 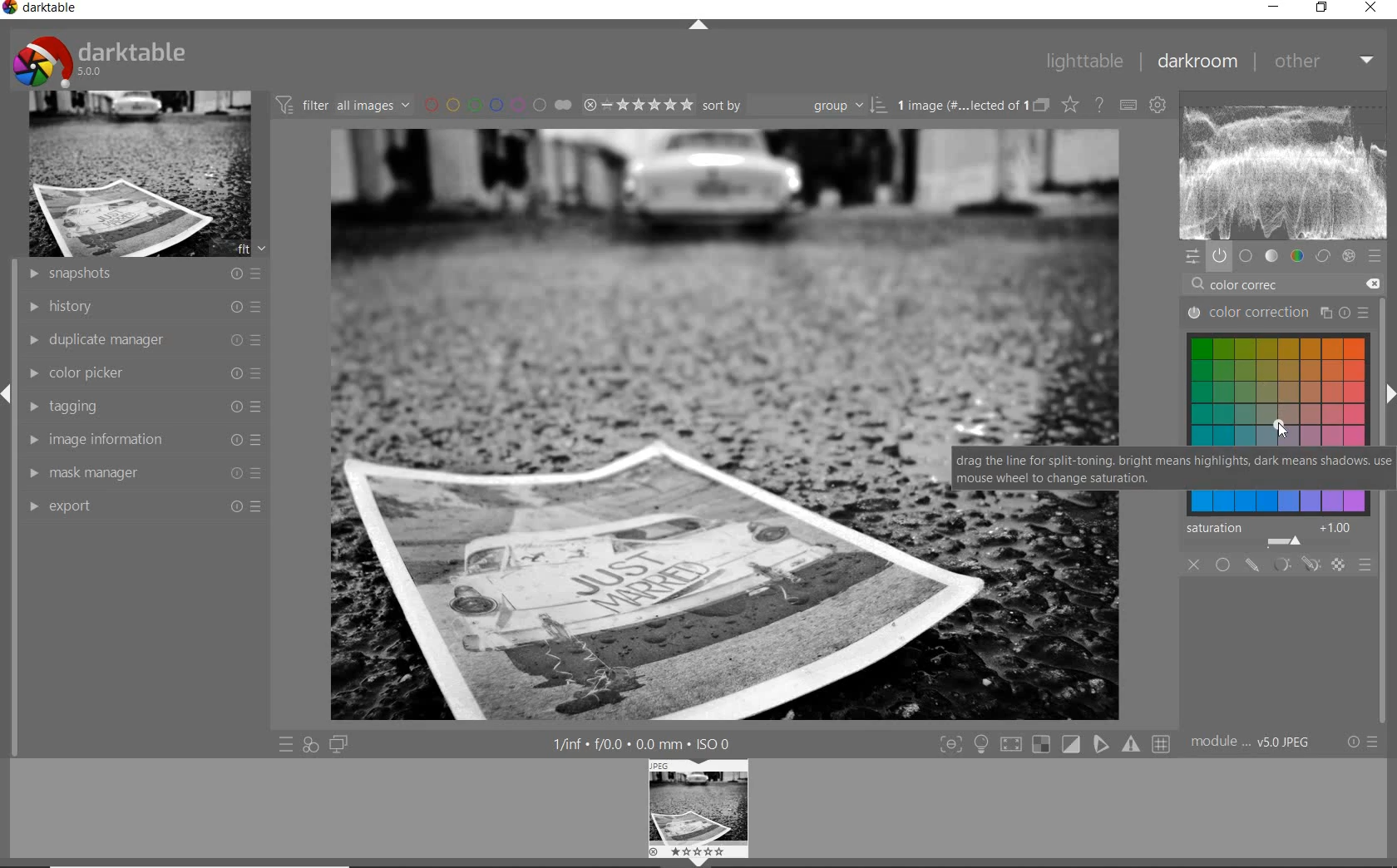 What do you see at coordinates (496, 103) in the screenshot?
I see `filter by image color lebel` at bounding box center [496, 103].